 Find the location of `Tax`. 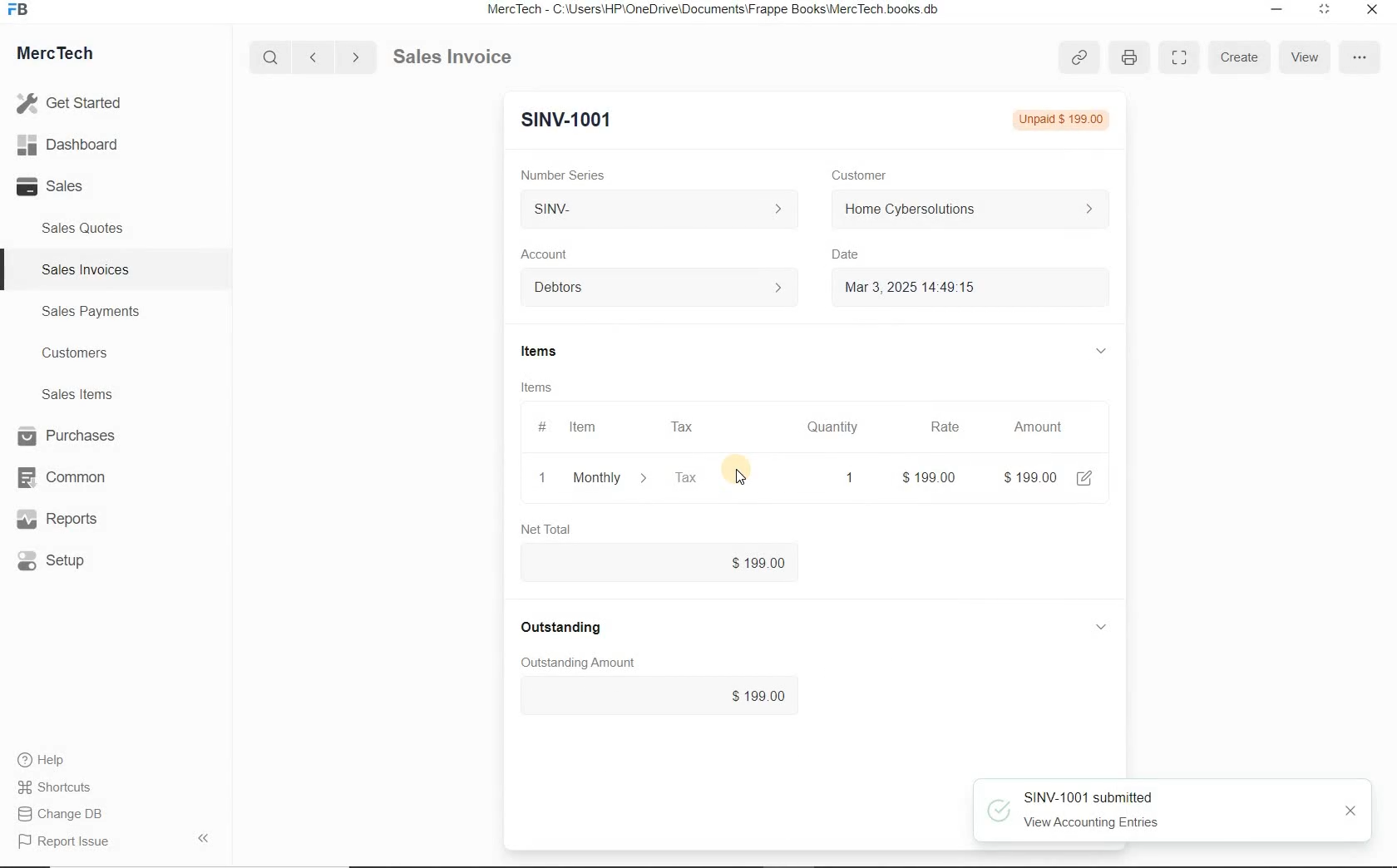

Tax is located at coordinates (680, 426).